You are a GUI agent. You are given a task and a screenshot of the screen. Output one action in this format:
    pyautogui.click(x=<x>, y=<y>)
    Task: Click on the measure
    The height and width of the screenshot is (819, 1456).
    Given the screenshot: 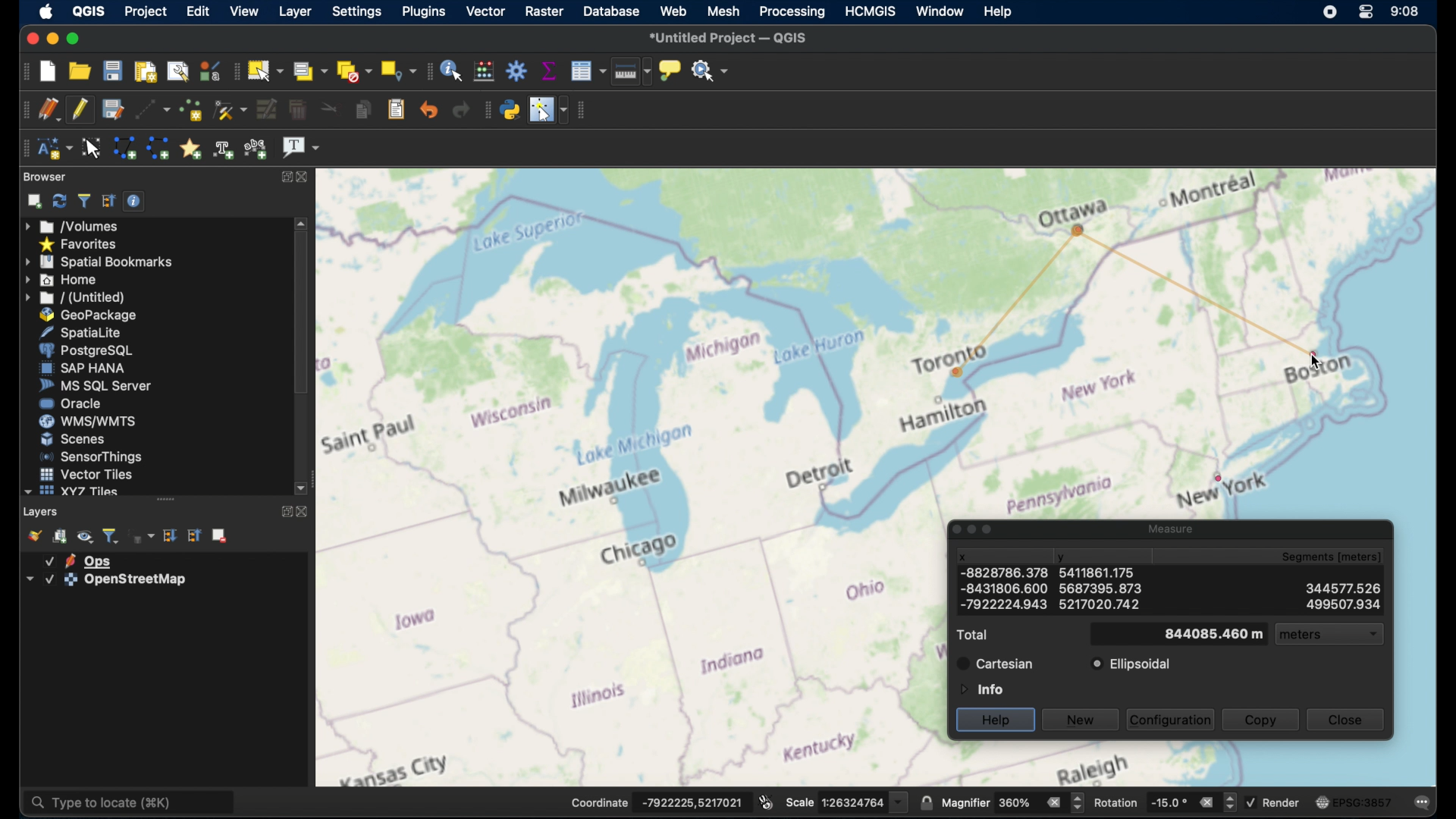 What is the action you would take?
    pyautogui.click(x=1168, y=527)
    